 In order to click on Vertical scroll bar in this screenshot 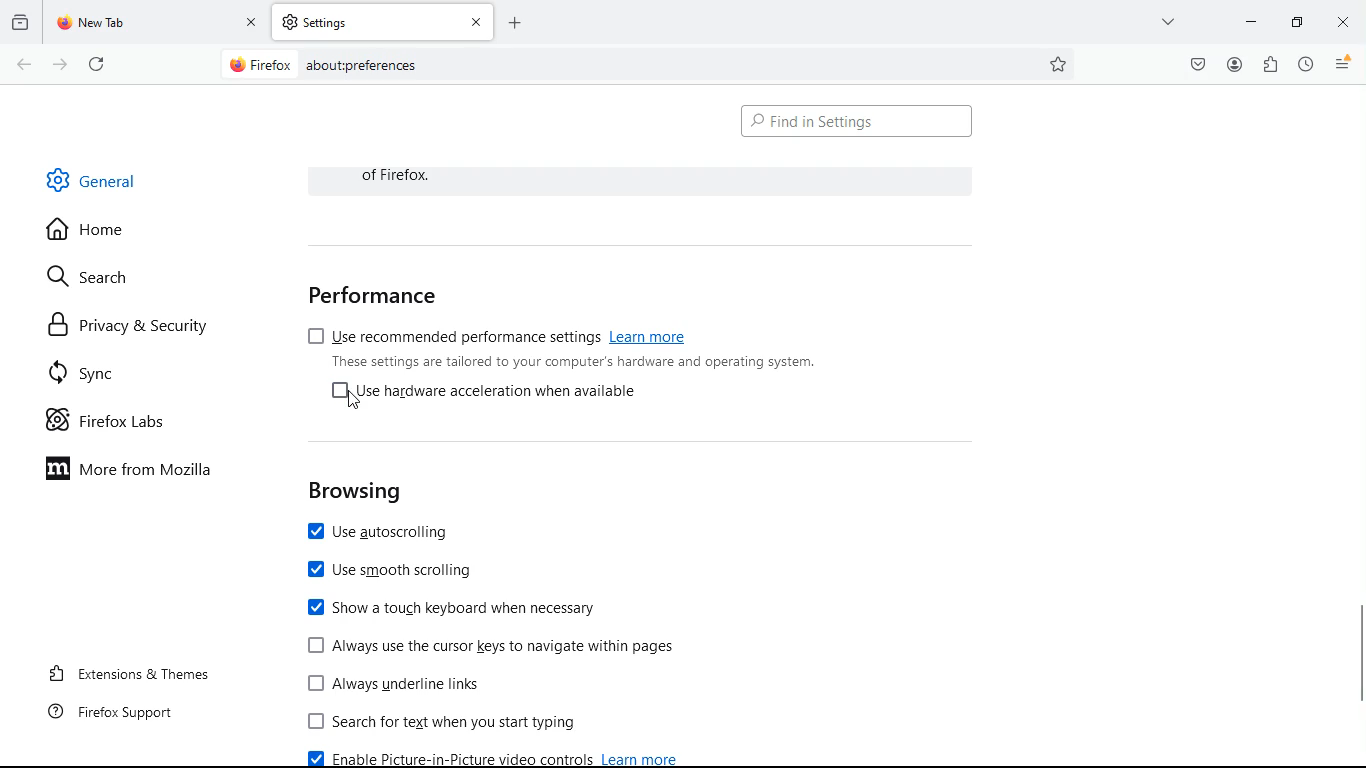, I will do `click(1356, 657)`.